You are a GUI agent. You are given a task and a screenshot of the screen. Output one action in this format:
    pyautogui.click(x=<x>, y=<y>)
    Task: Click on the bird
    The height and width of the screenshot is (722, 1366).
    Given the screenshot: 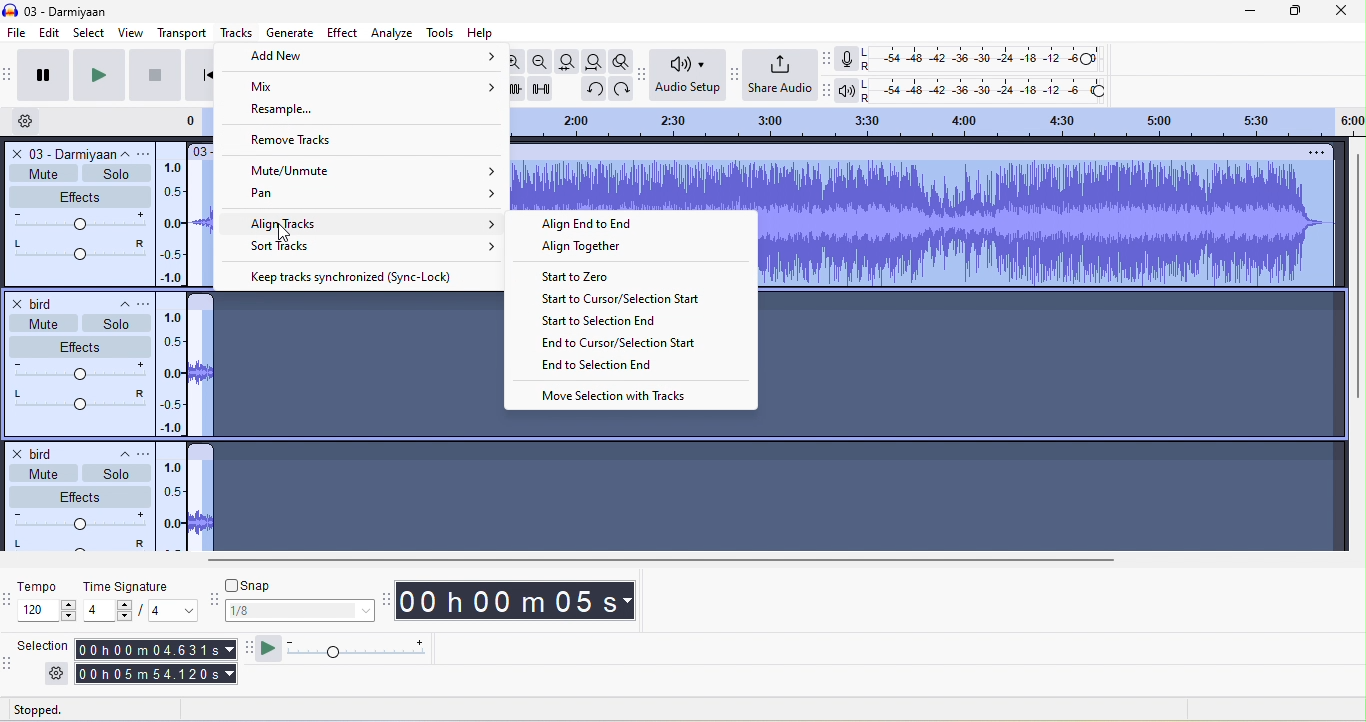 What is the action you would take?
    pyautogui.click(x=38, y=300)
    